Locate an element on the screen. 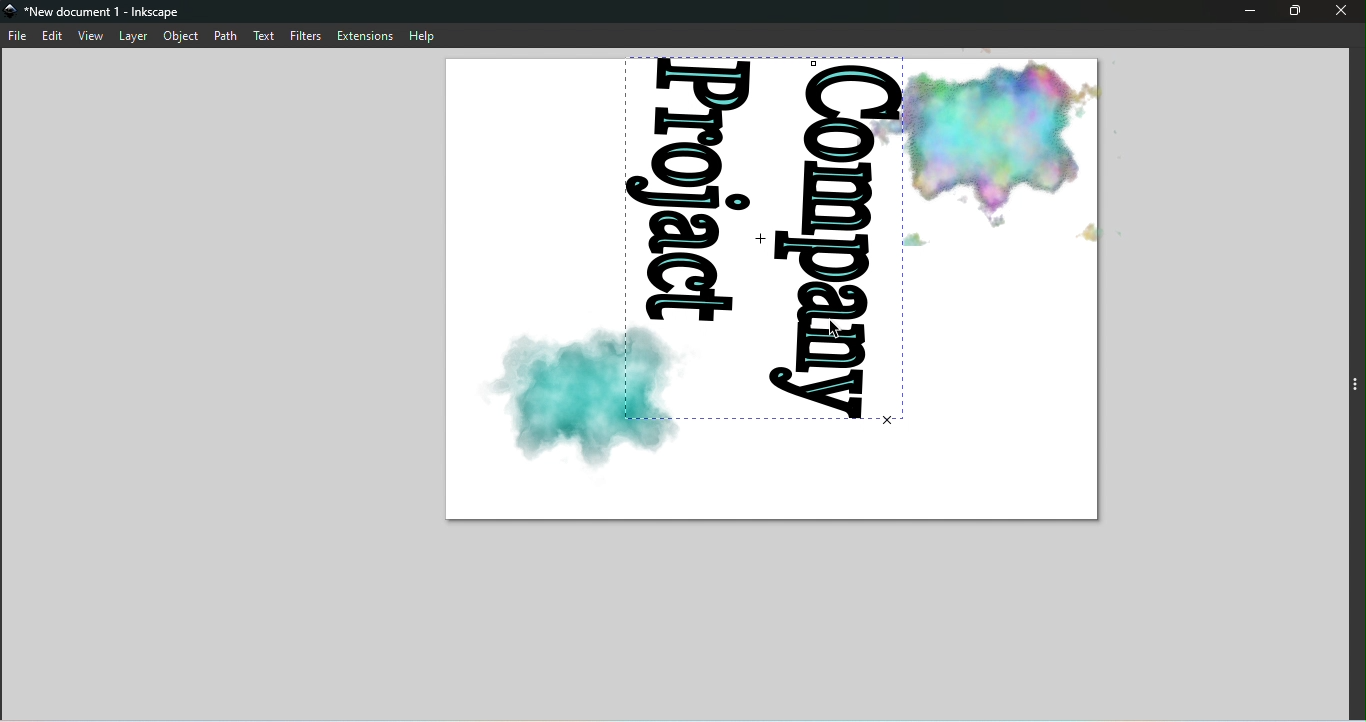 This screenshot has width=1366, height=722. View is located at coordinates (91, 35).